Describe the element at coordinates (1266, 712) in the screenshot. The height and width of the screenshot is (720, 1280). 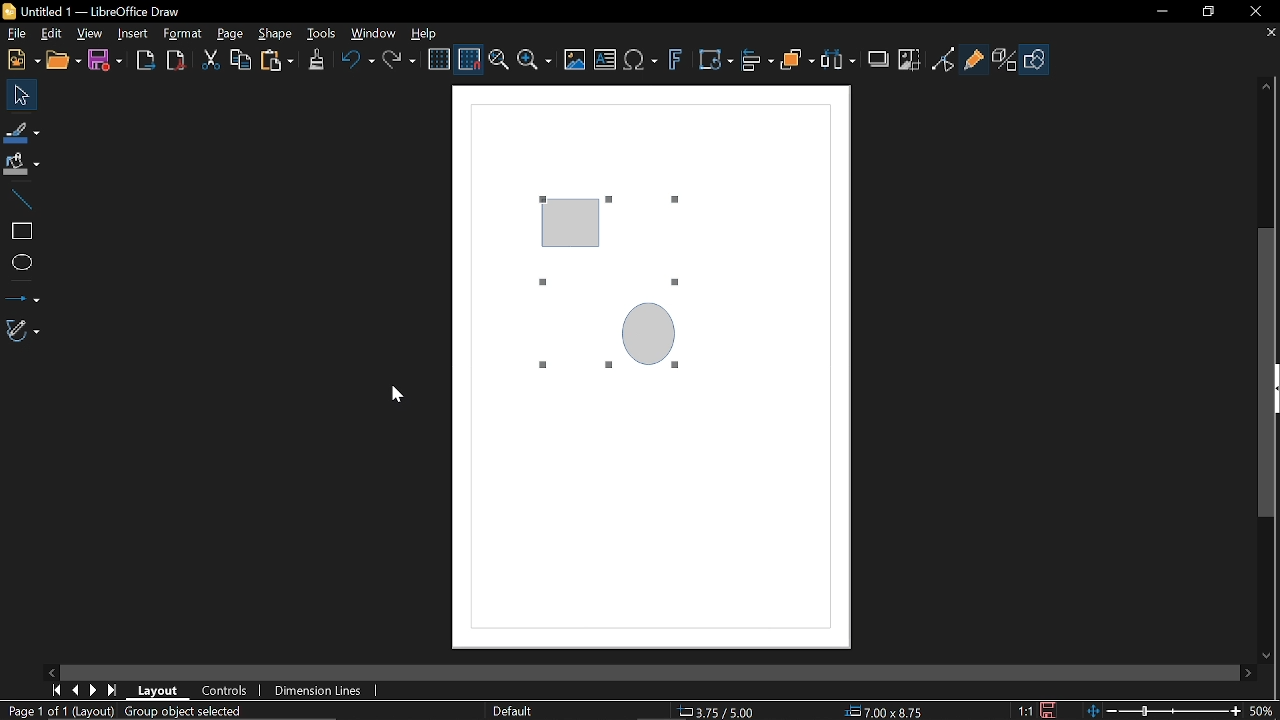
I see `Current zoom` at that location.